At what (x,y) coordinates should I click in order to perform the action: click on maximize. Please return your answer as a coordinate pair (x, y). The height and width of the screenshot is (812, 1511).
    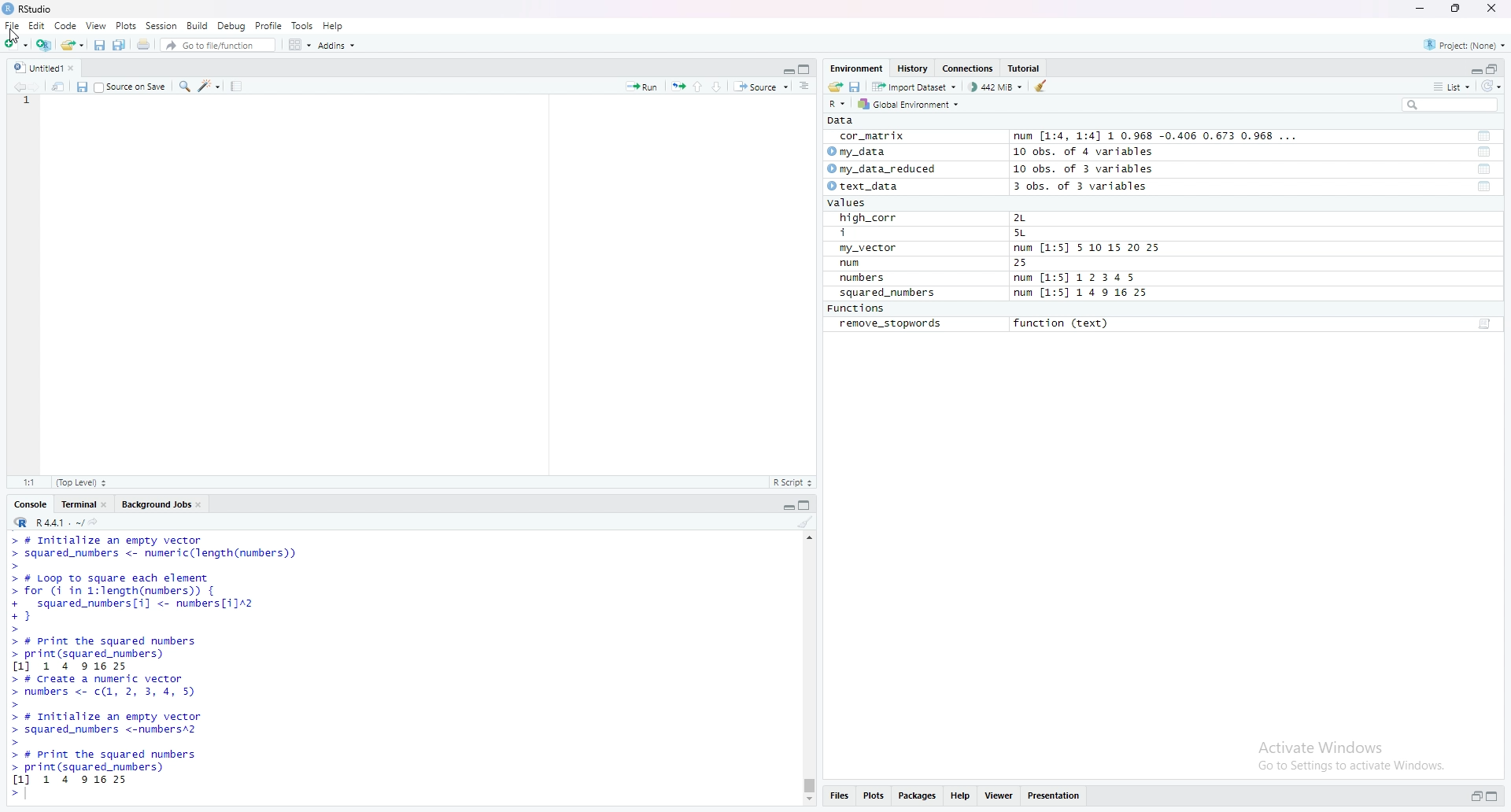
    Looking at the image, I should click on (806, 69).